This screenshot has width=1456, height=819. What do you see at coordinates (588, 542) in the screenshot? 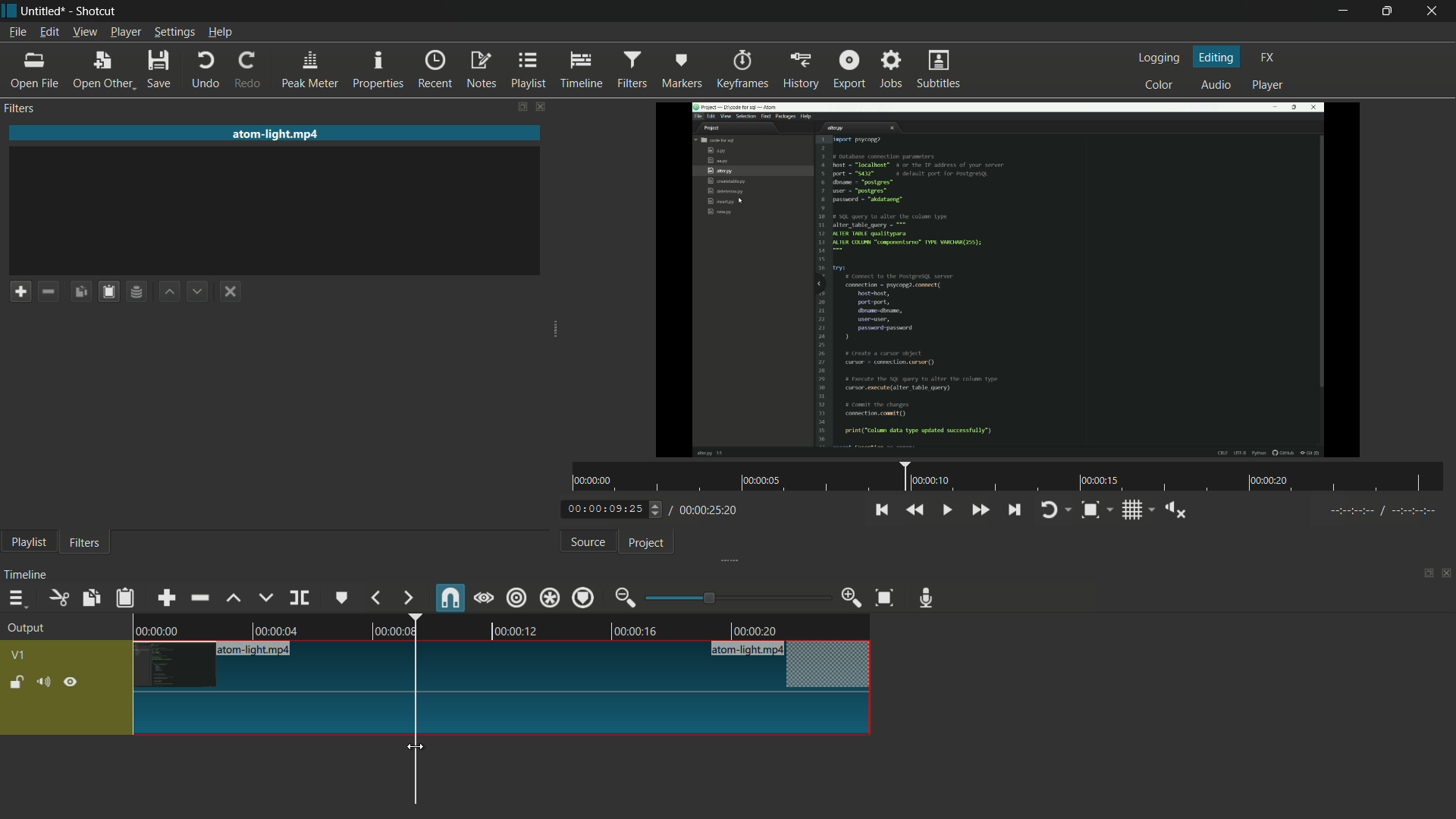
I see `source` at bounding box center [588, 542].